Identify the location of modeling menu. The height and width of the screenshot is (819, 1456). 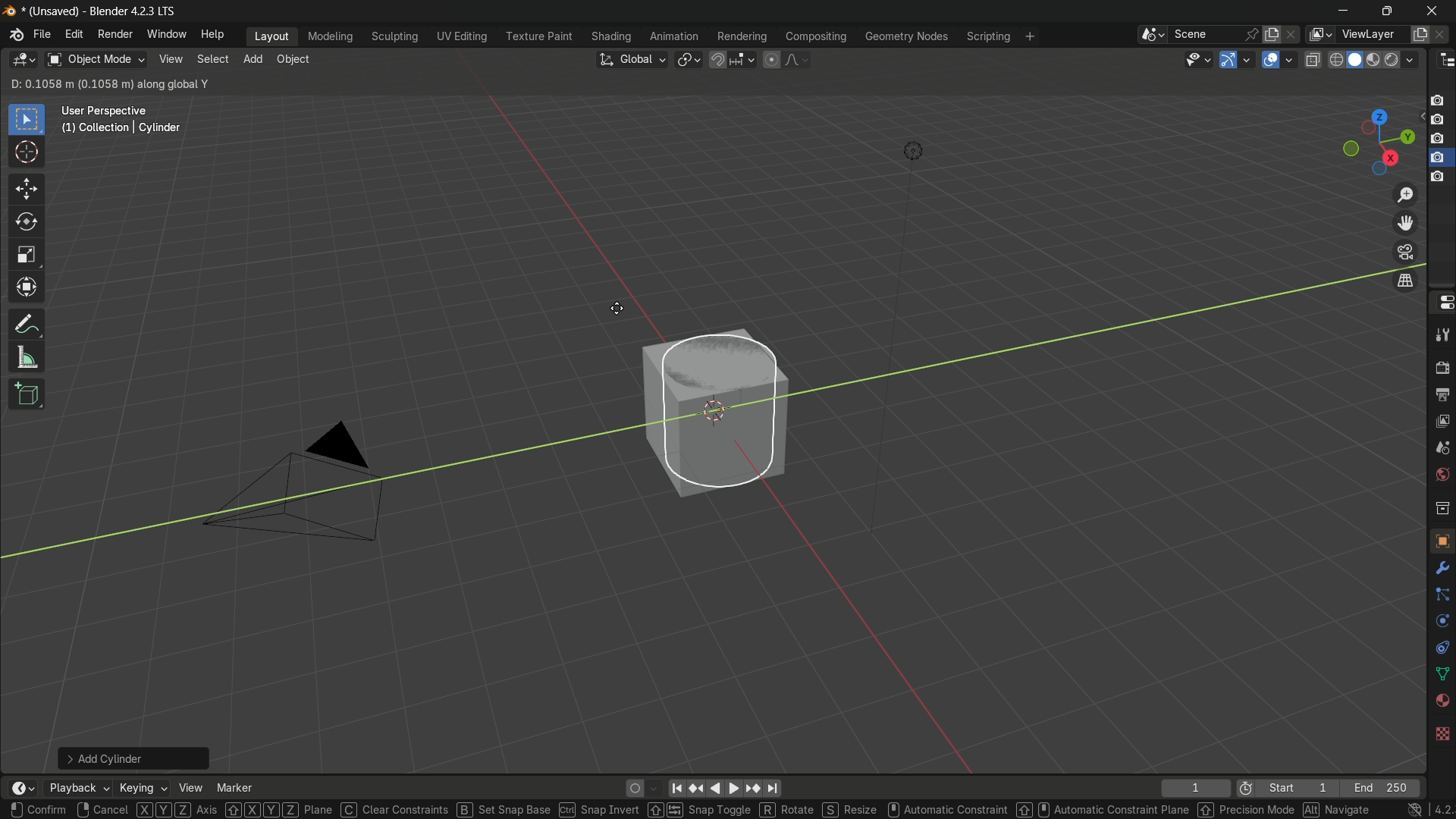
(330, 37).